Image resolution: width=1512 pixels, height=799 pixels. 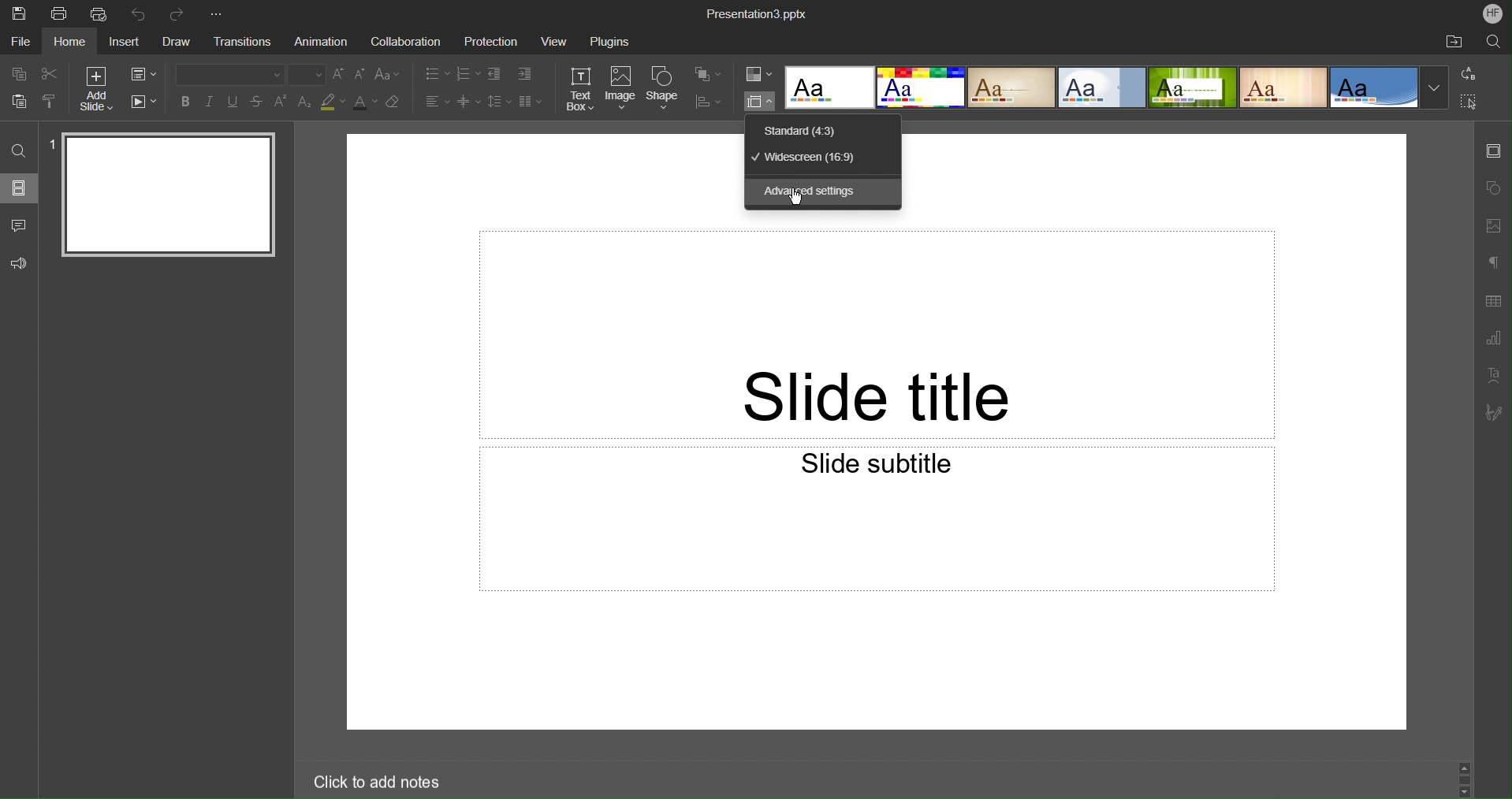 What do you see at coordinates (497, 102) in the screenshot?
I see `Line Spacing ` at bounding box center [497, 102].